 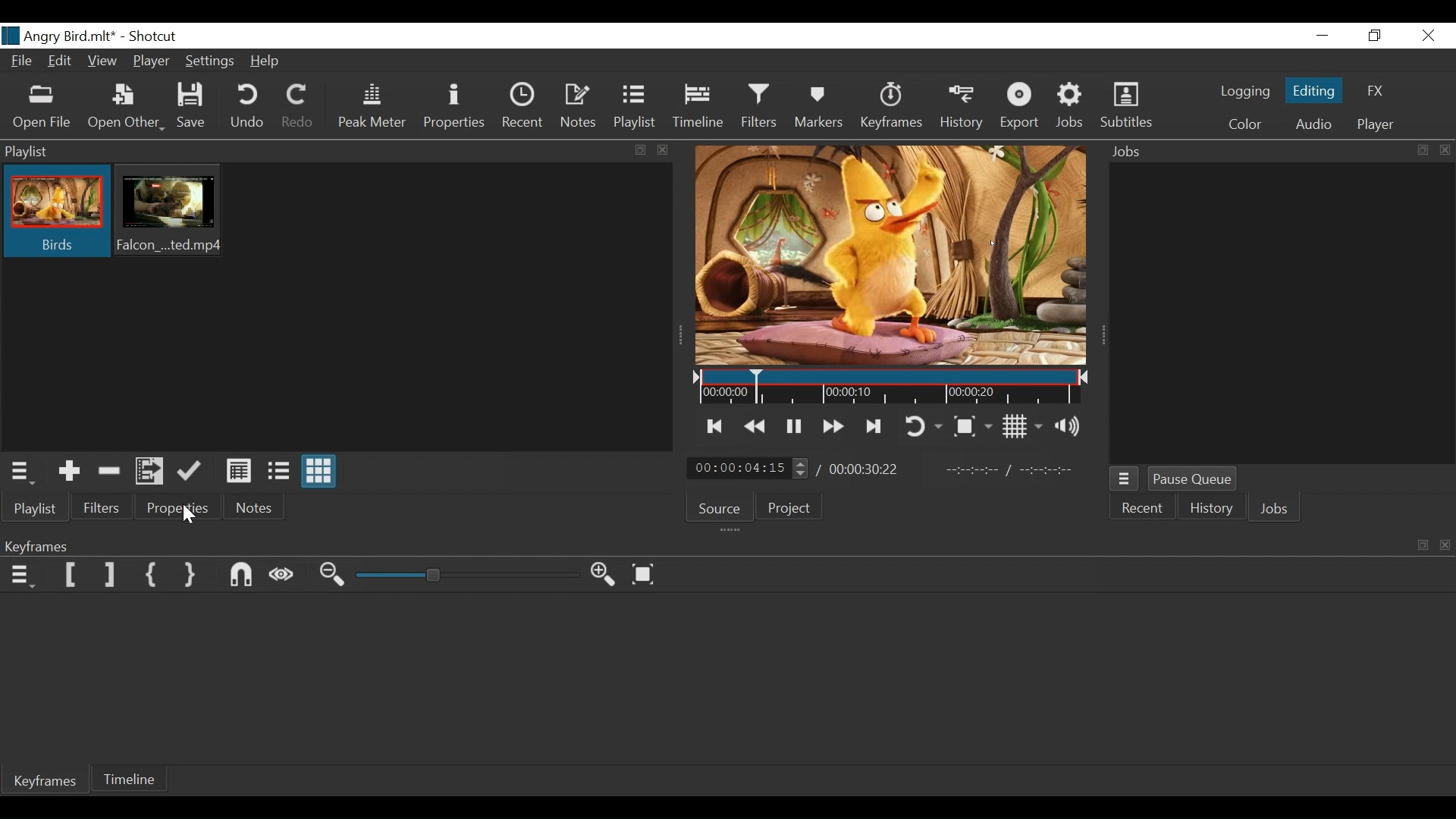 What do you see at coordinates (24, 576) in the screenshot?
I see `Keyframe menu` at bounding box center [24, 576].